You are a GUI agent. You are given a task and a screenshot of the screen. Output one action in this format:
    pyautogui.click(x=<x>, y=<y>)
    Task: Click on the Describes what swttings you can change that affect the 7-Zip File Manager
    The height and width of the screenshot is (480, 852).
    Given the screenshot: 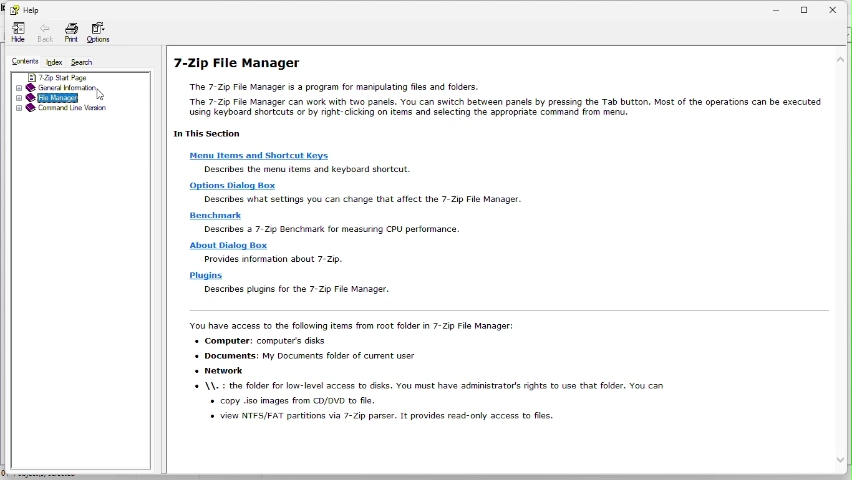 What is the action you would take?
    pyautogui.click(x=365, y=201)
    